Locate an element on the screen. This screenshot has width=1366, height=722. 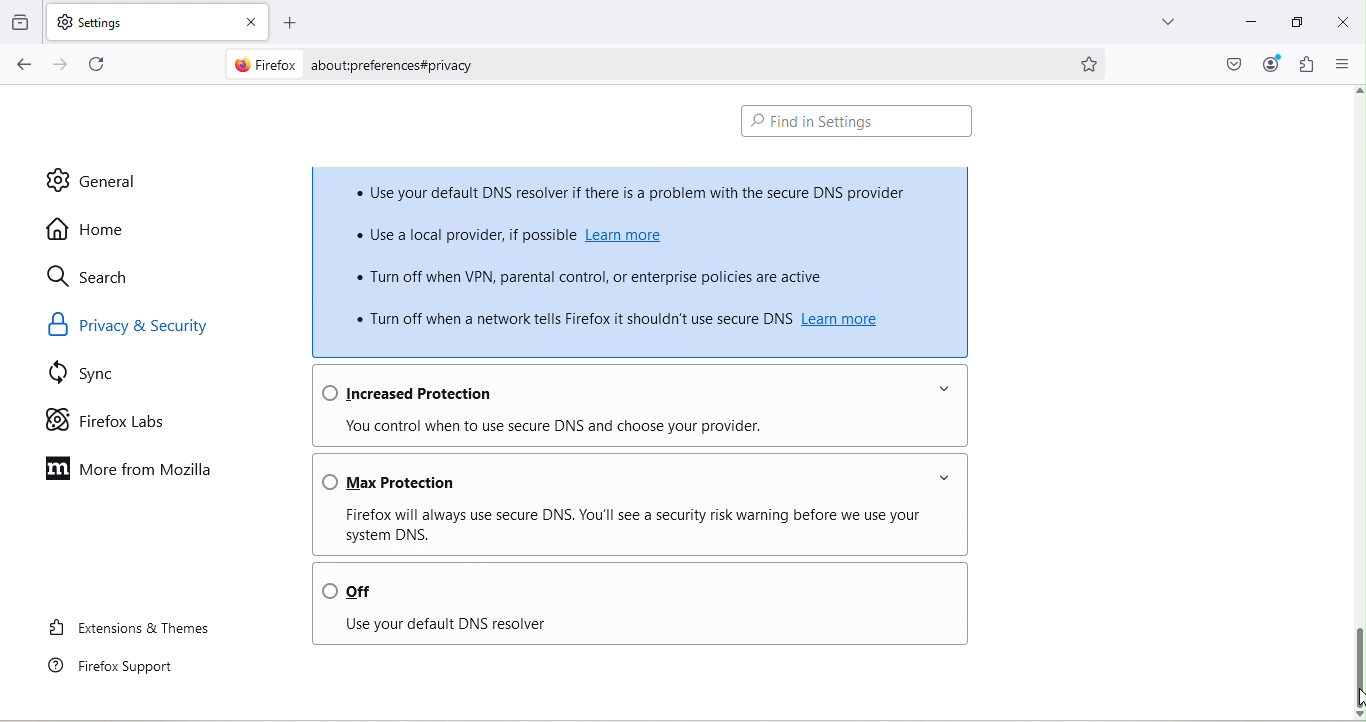
Increased protection is located at coordinates (636, 389).